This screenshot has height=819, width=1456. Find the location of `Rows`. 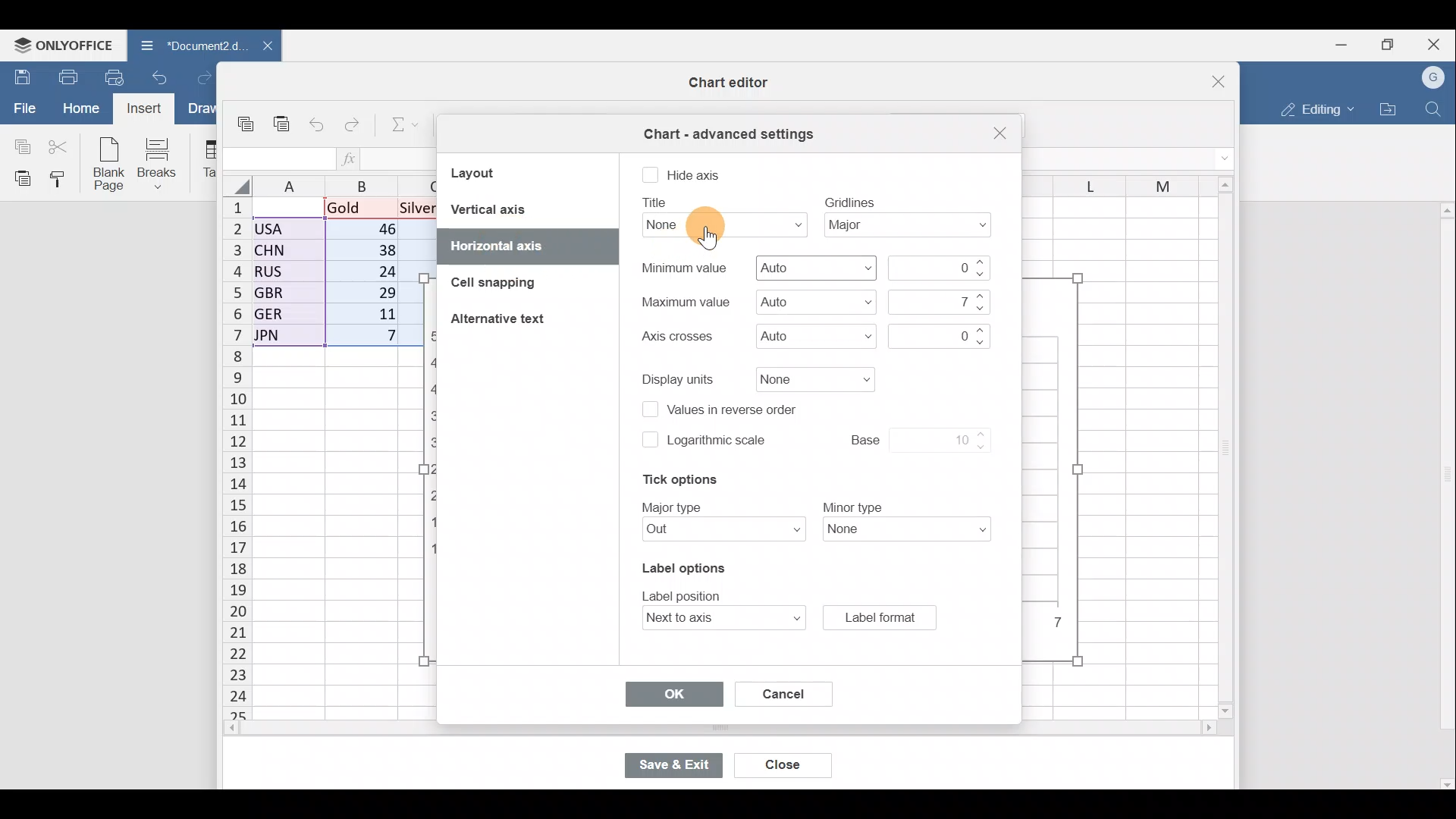

Rows is located at coordinates (227, 460).